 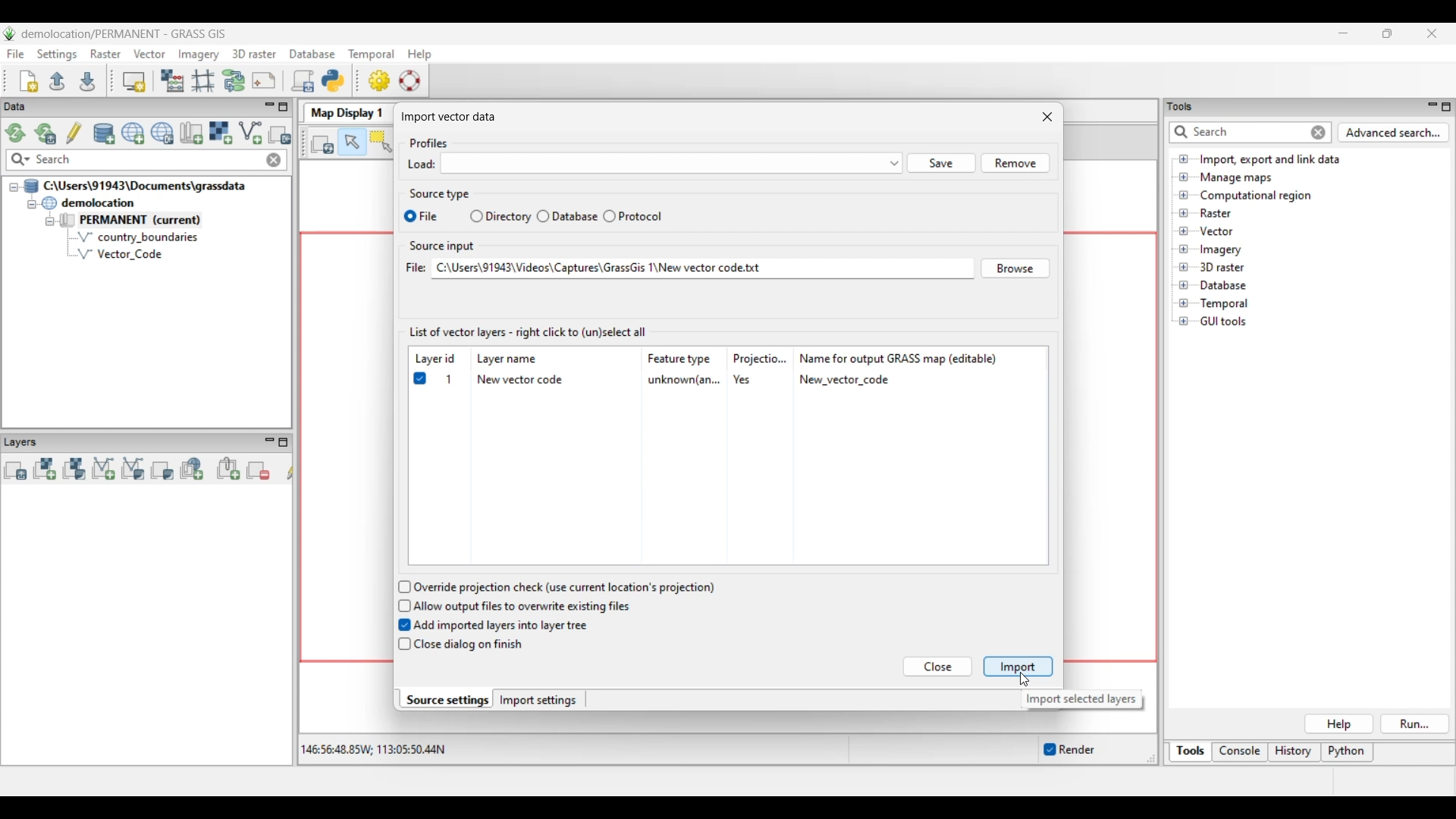 I want to click on Help, so click(x=1338, y=724).